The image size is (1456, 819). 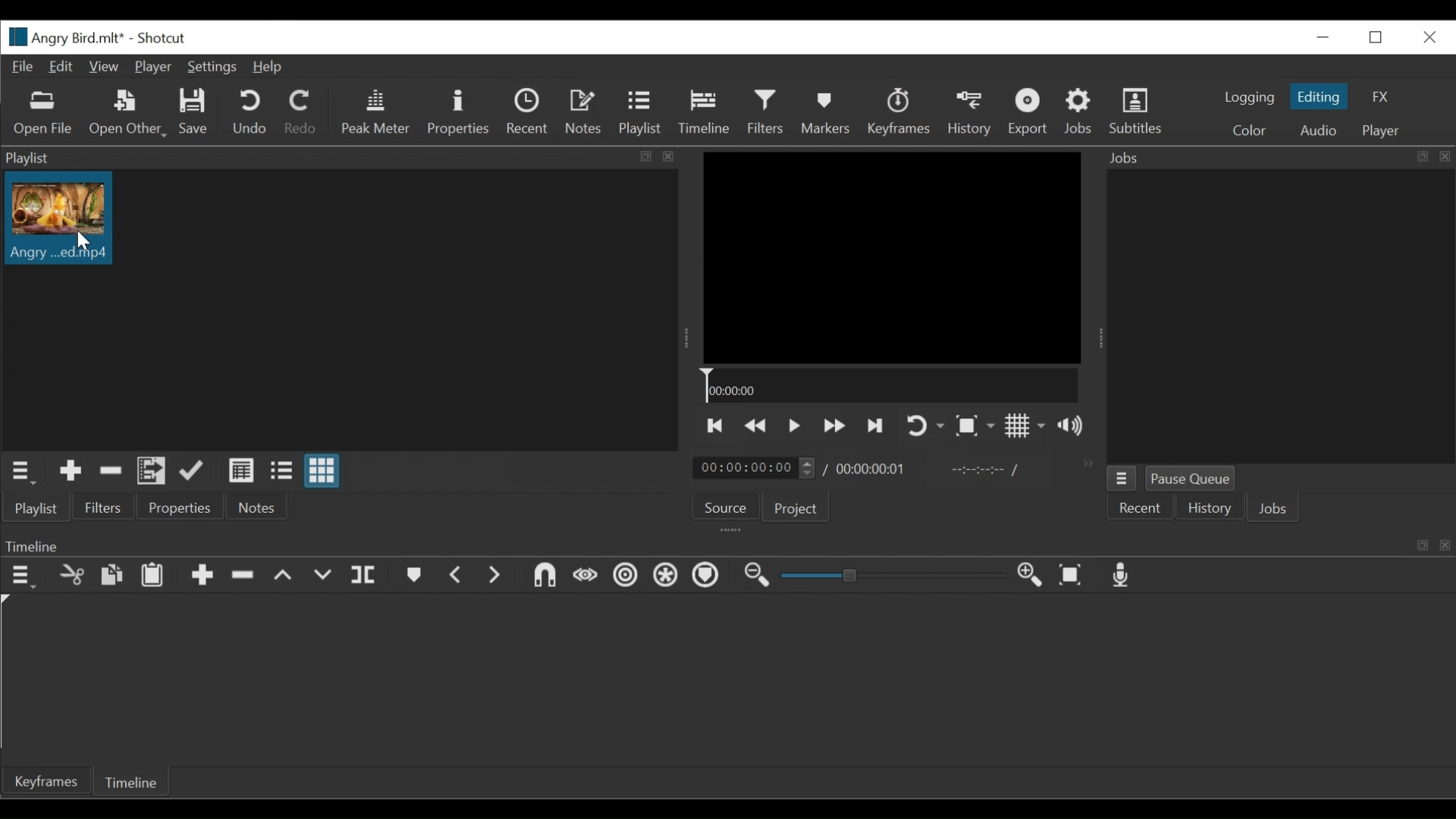 What do you see at coordinates (970, 113) in the screenshot?
I see `History` at bounding box center [970, 113].